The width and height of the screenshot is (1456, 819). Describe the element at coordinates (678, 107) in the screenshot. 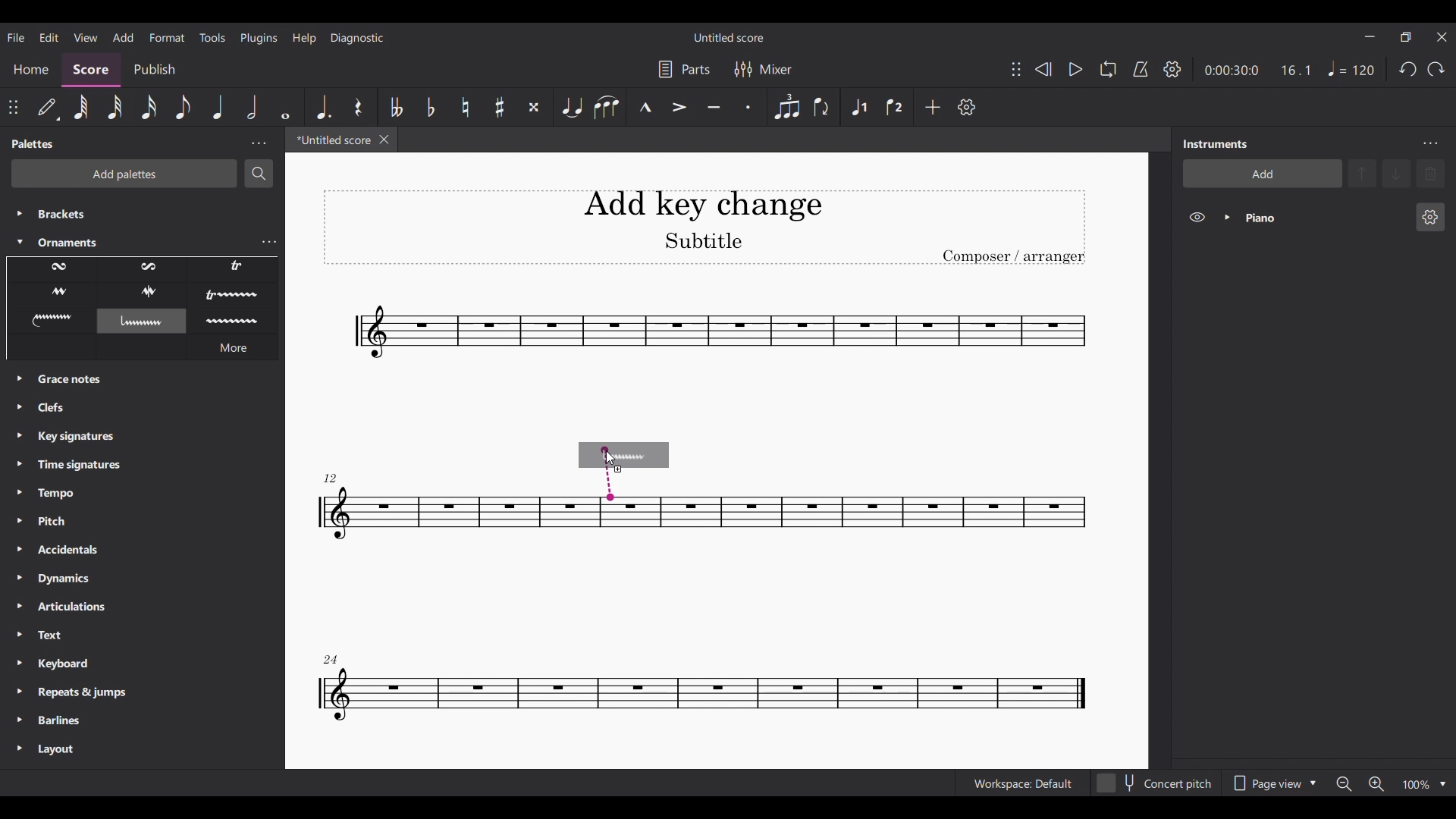

I see `Accent ` at that location.